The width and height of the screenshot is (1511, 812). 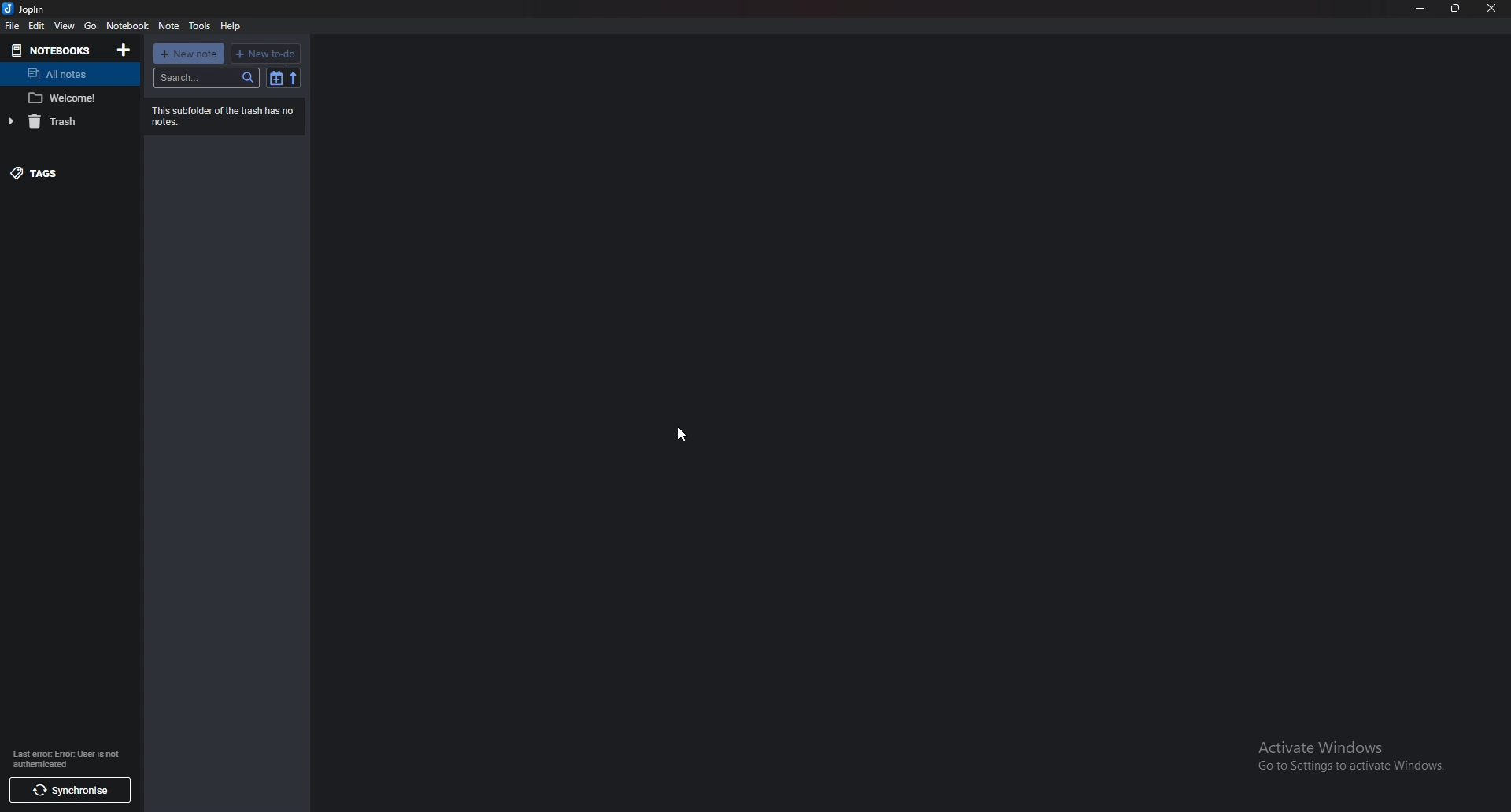 I want to click on note, so click(x=65, y=98).